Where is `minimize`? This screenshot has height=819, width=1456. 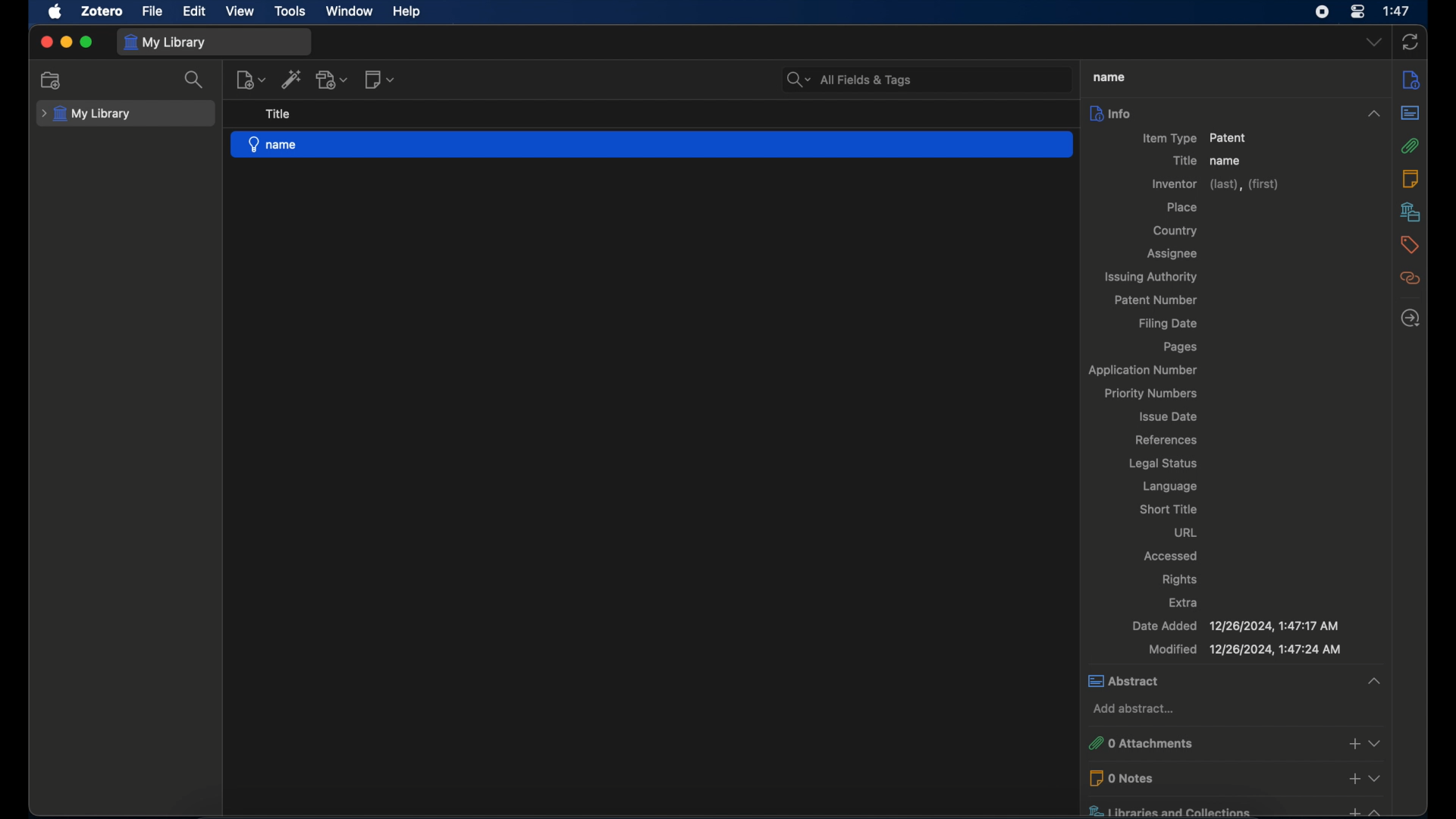 minimize is located at coordinates (67, 42).